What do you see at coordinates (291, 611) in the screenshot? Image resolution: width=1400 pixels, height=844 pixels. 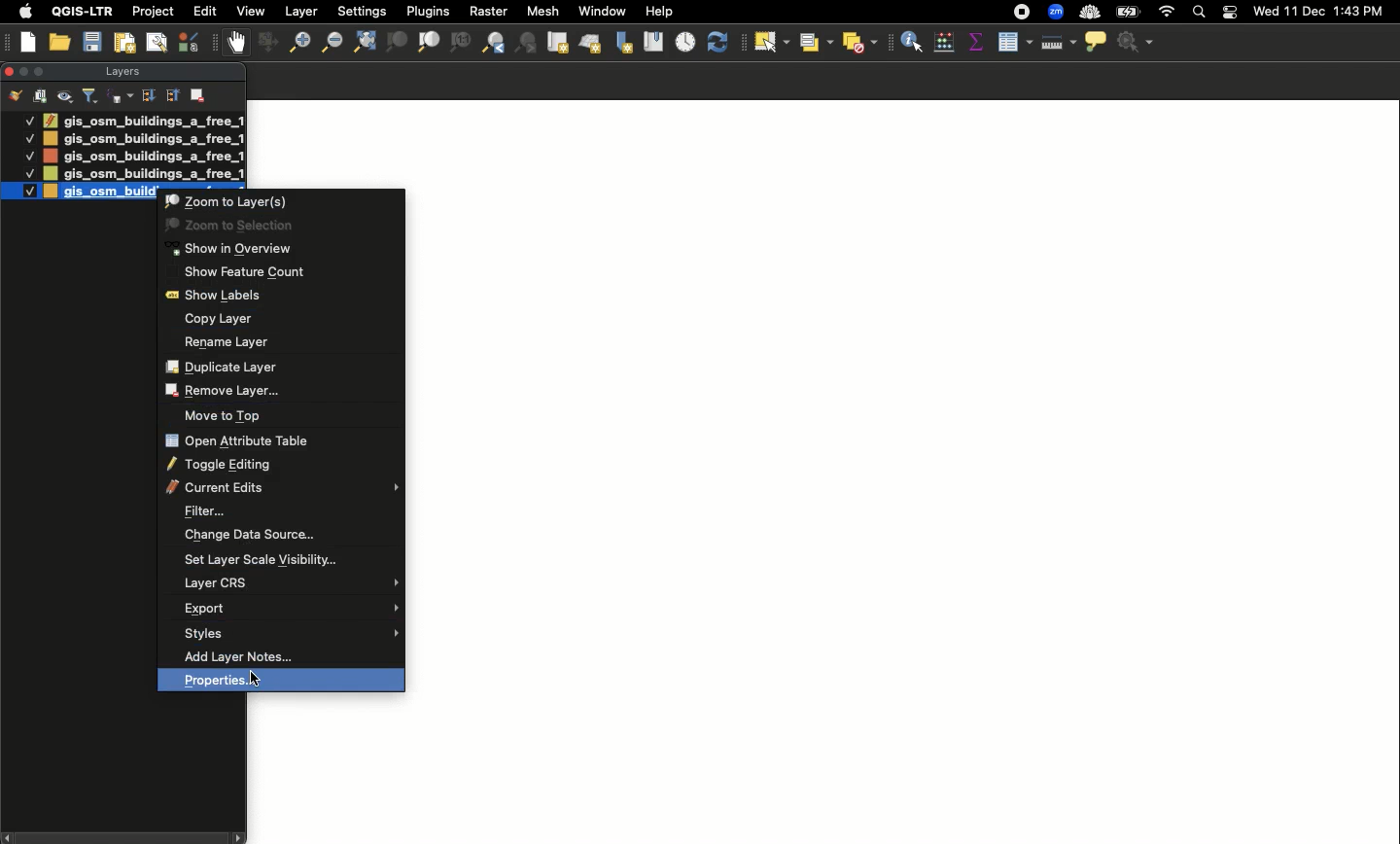 I see `Export` at bounding box center [291, 611].